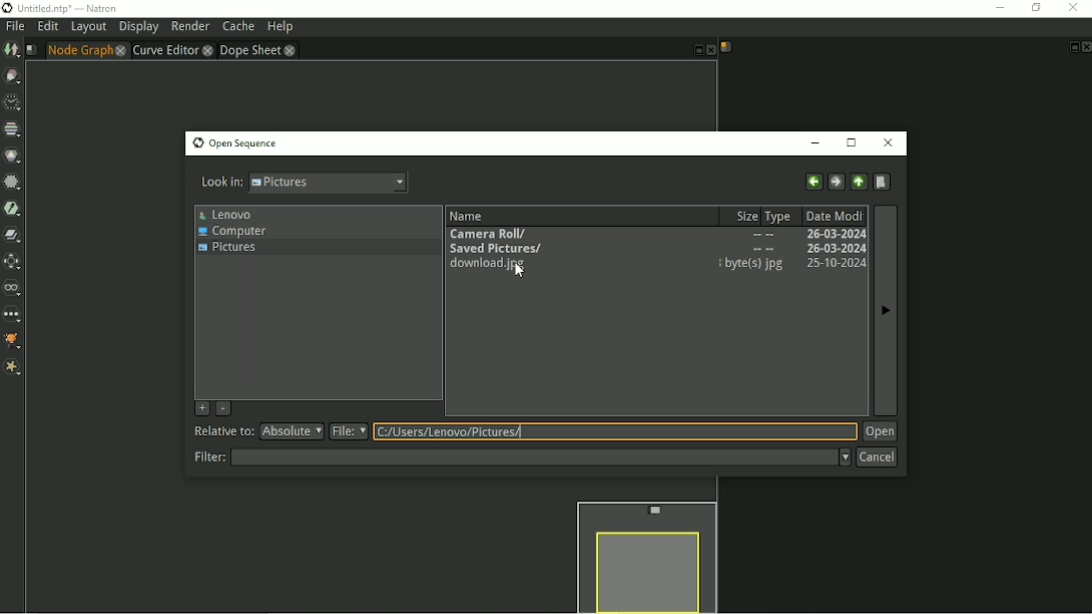  I want to click on Create a new directory here, so click(884, 181).